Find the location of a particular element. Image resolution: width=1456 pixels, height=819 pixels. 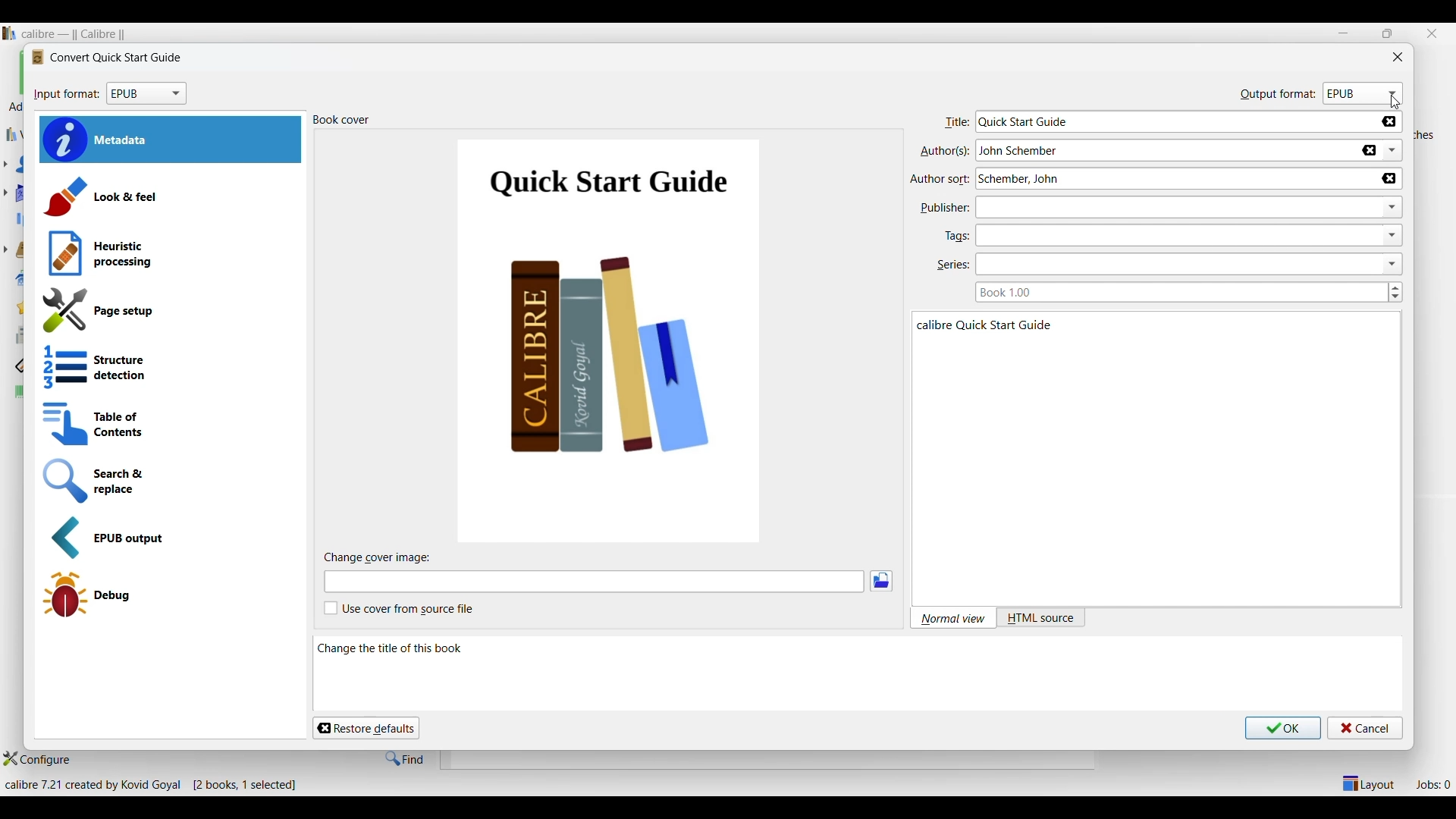

HTML source is located at coordinates (1040, 618).